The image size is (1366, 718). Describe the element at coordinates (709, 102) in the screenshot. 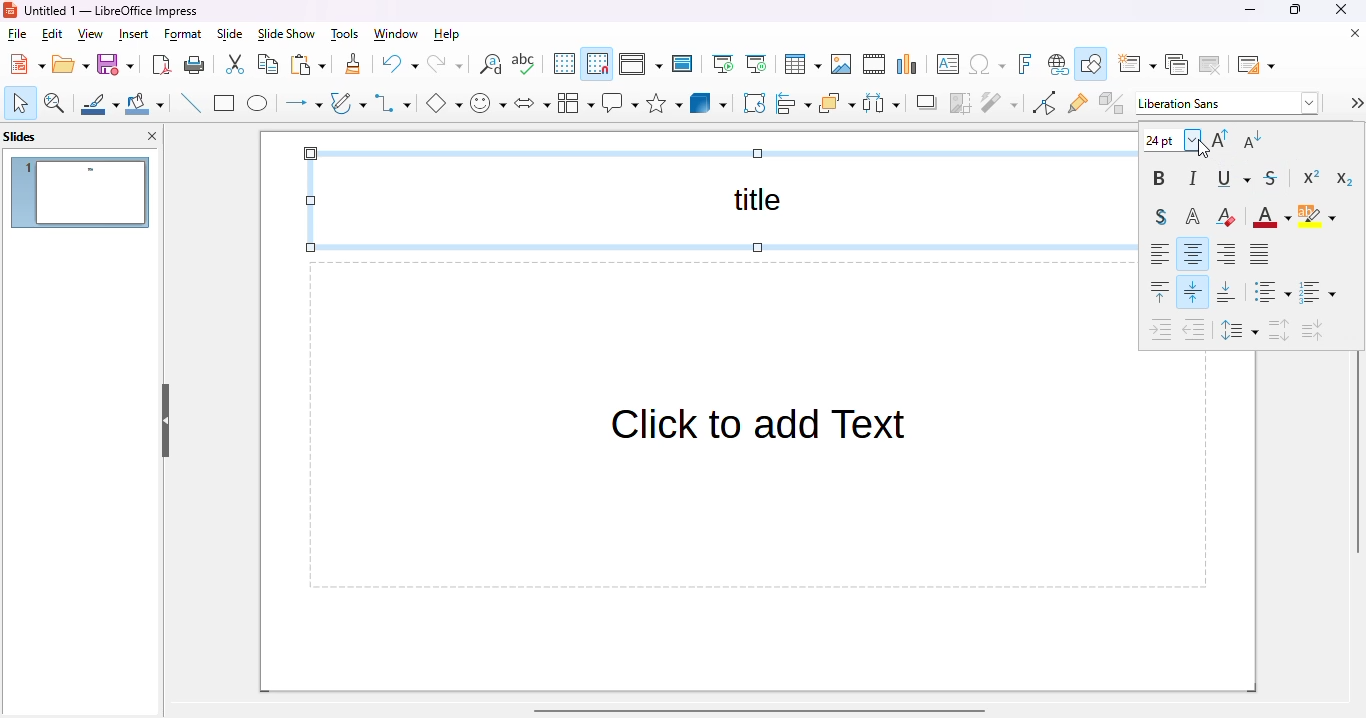

I see `3D objects` at that location.